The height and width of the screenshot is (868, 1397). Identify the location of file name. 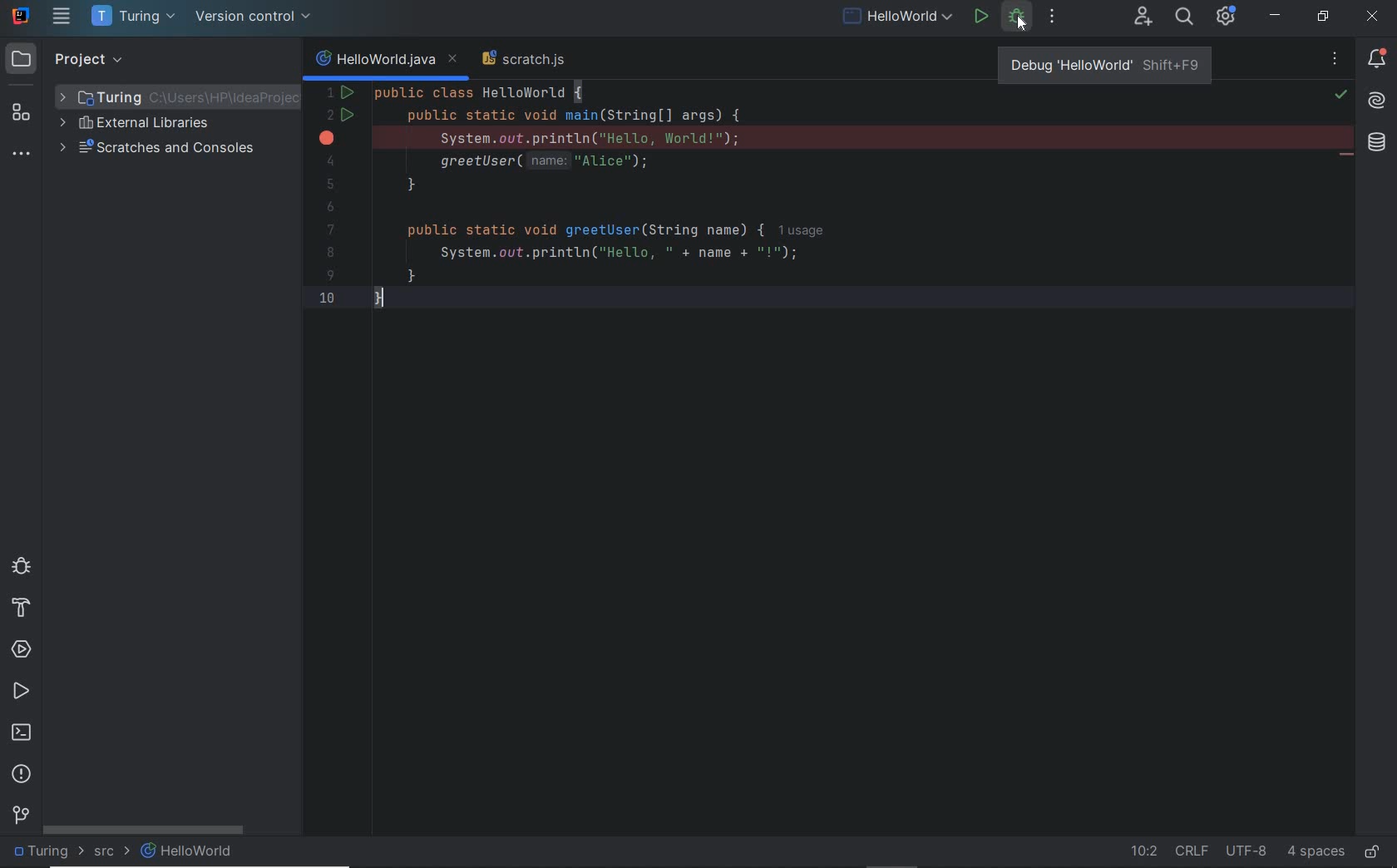
(897, 18).